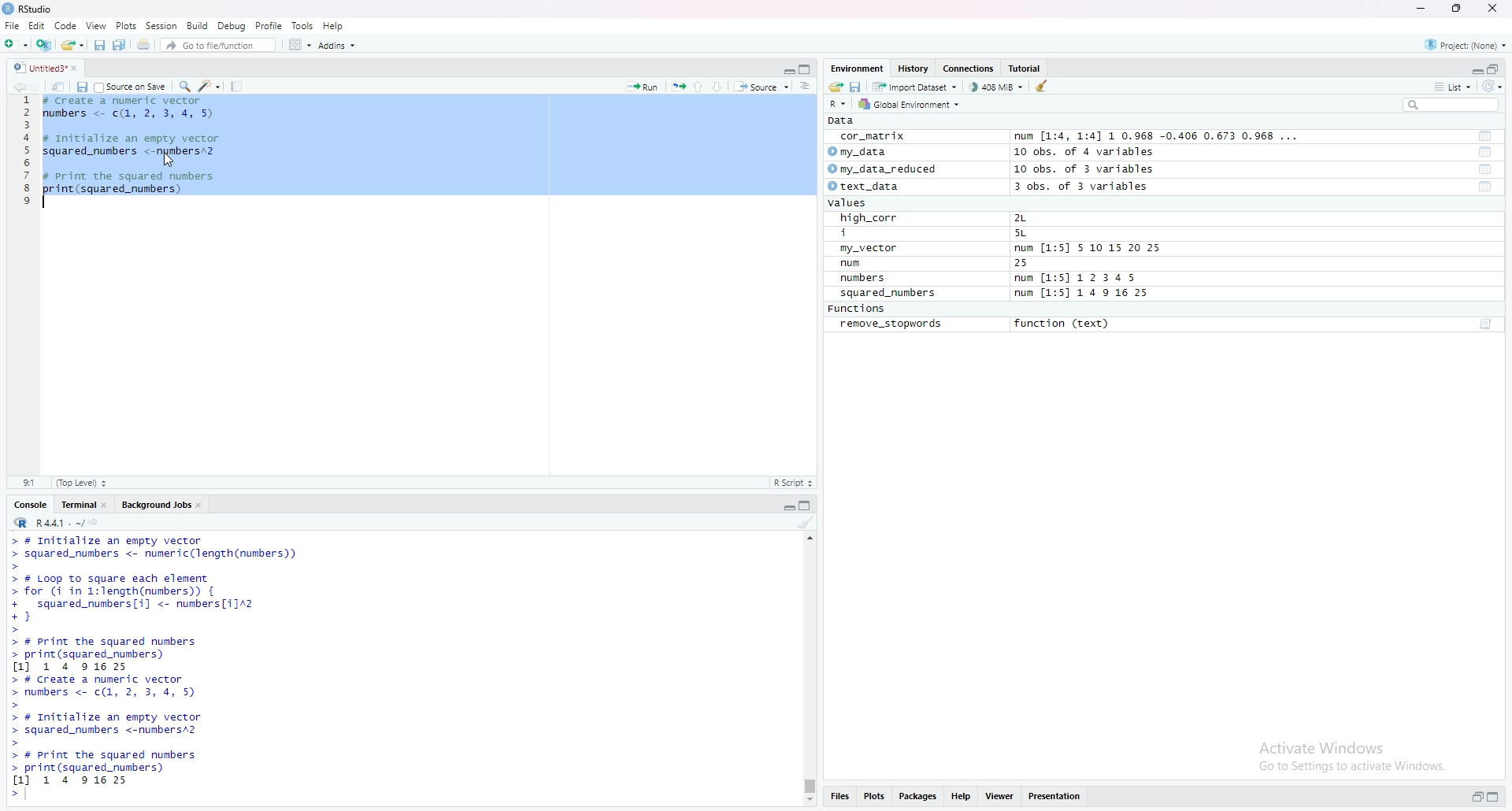  What do you see at coordinates (870, 249) in the screenshot?
I see `my_vector` at bounding box center [870, 249].